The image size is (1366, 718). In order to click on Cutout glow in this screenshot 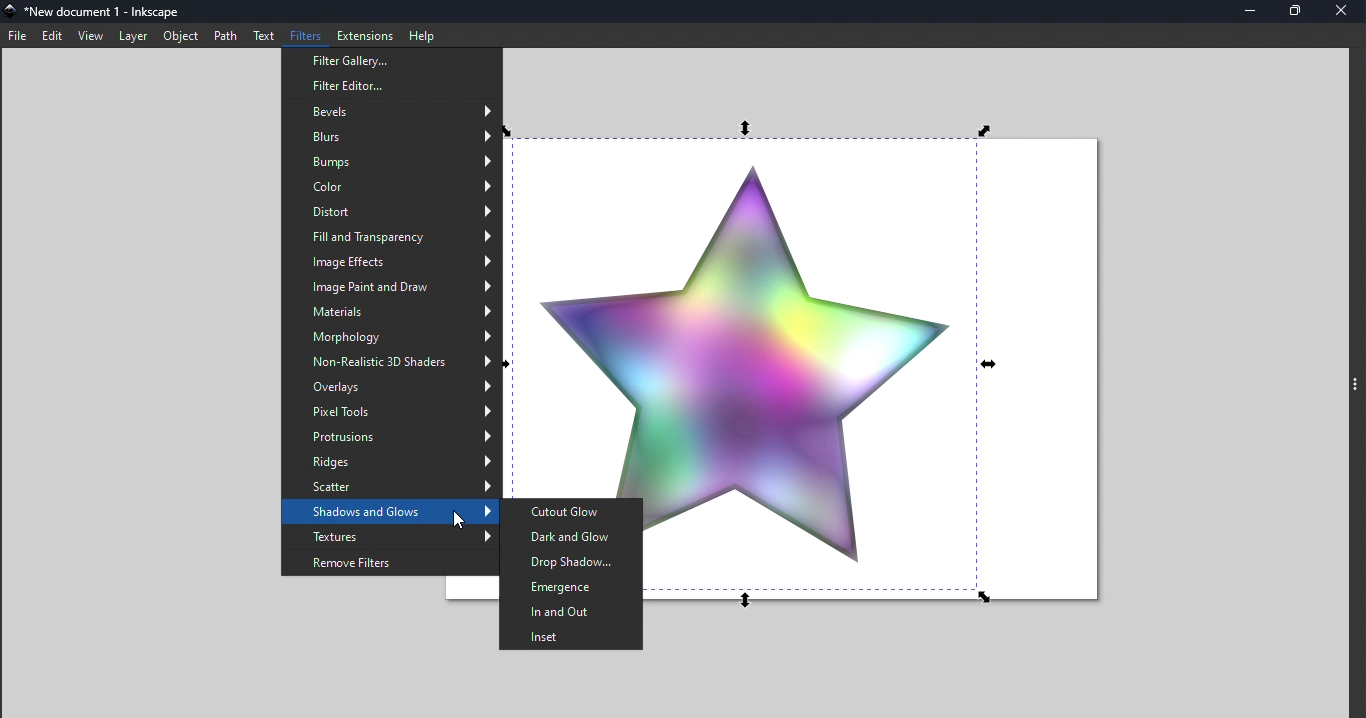, I will do `click(573, 510)`.